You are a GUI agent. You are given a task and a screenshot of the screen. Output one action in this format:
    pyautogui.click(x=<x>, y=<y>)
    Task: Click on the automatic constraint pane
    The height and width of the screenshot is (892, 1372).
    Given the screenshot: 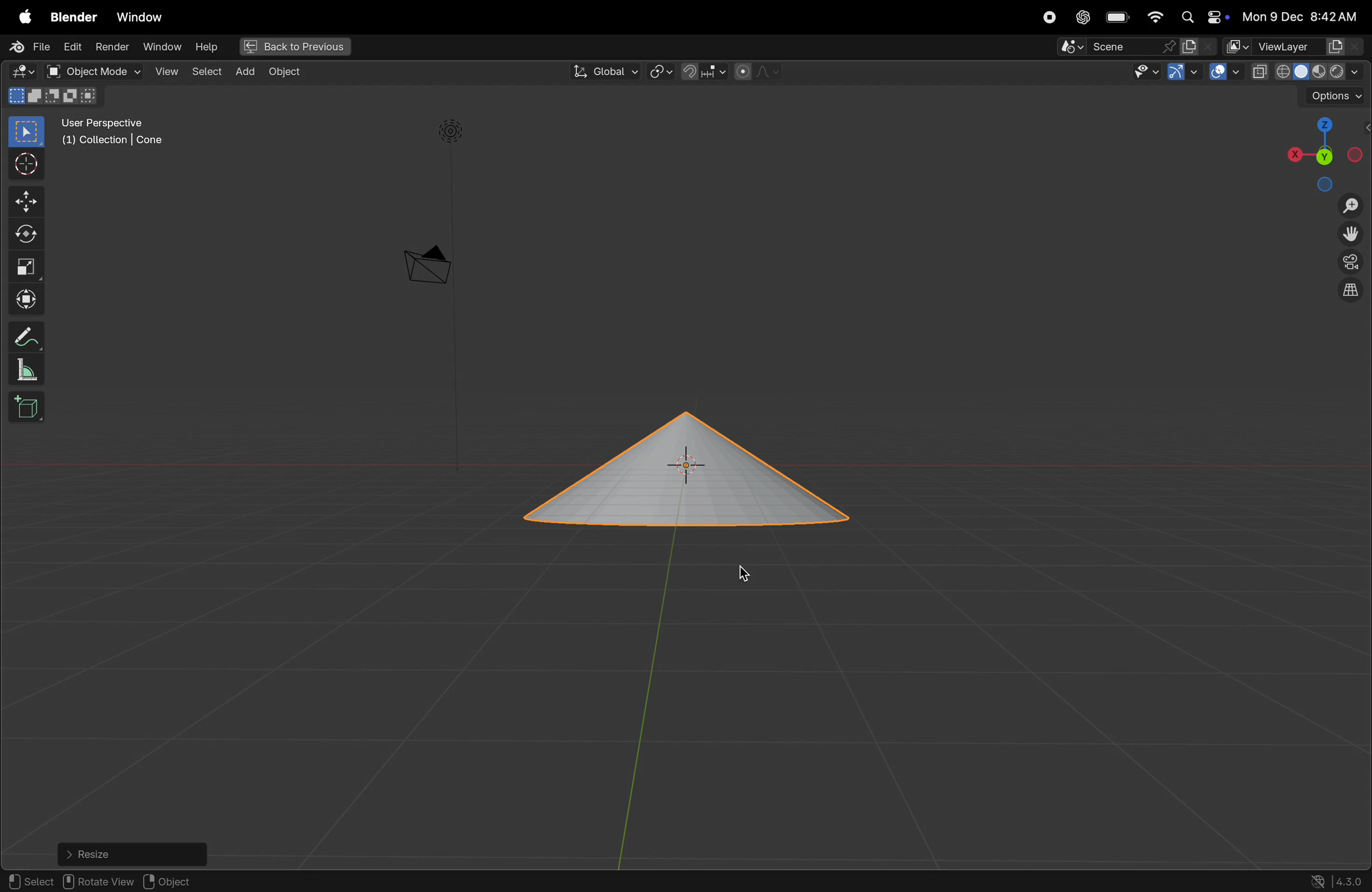 What is the action you would take?
    pyautogui.click(x=1033, y=881)
    